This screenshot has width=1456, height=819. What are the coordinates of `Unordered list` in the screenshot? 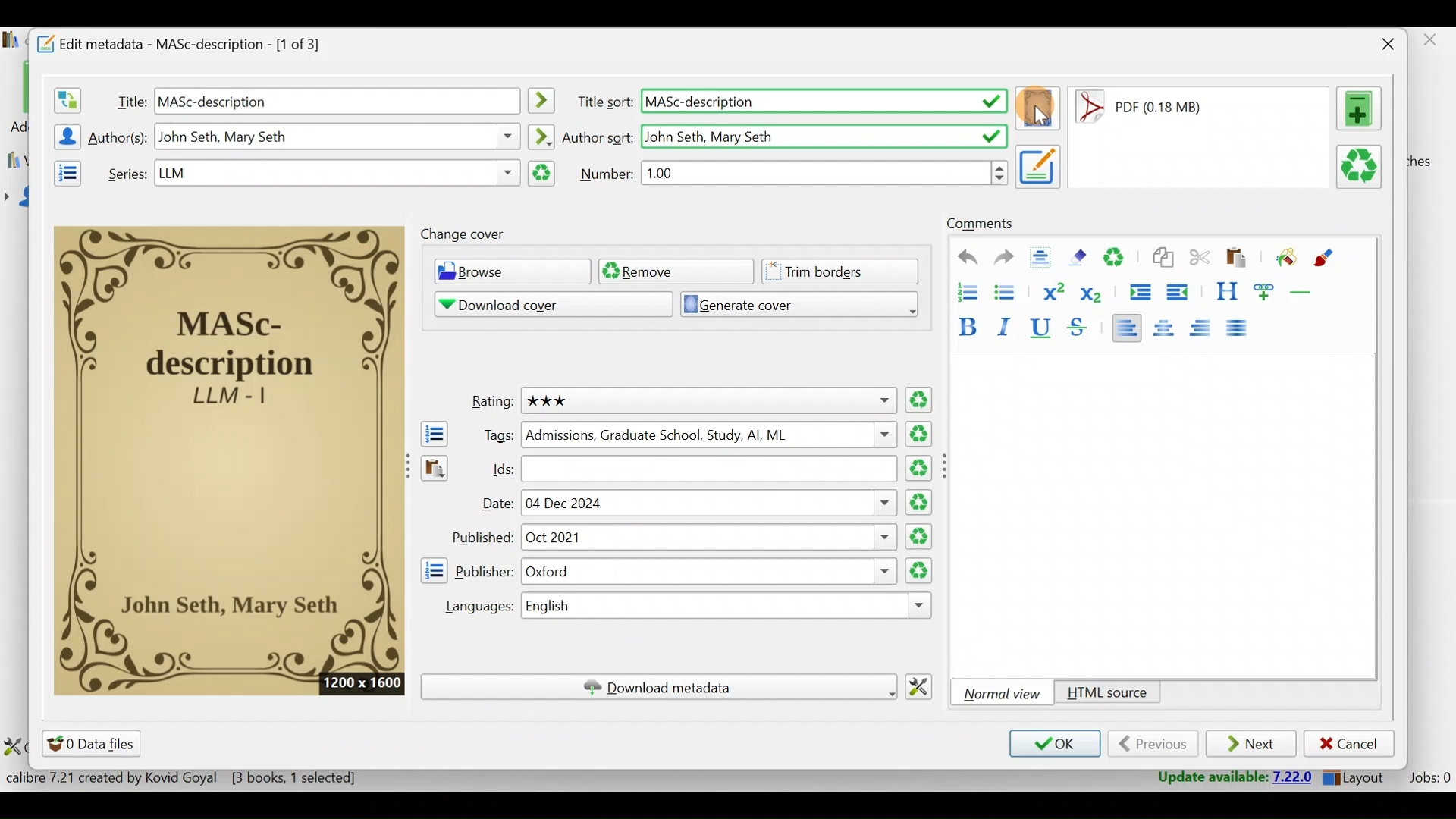 It's located at (1008, 291).